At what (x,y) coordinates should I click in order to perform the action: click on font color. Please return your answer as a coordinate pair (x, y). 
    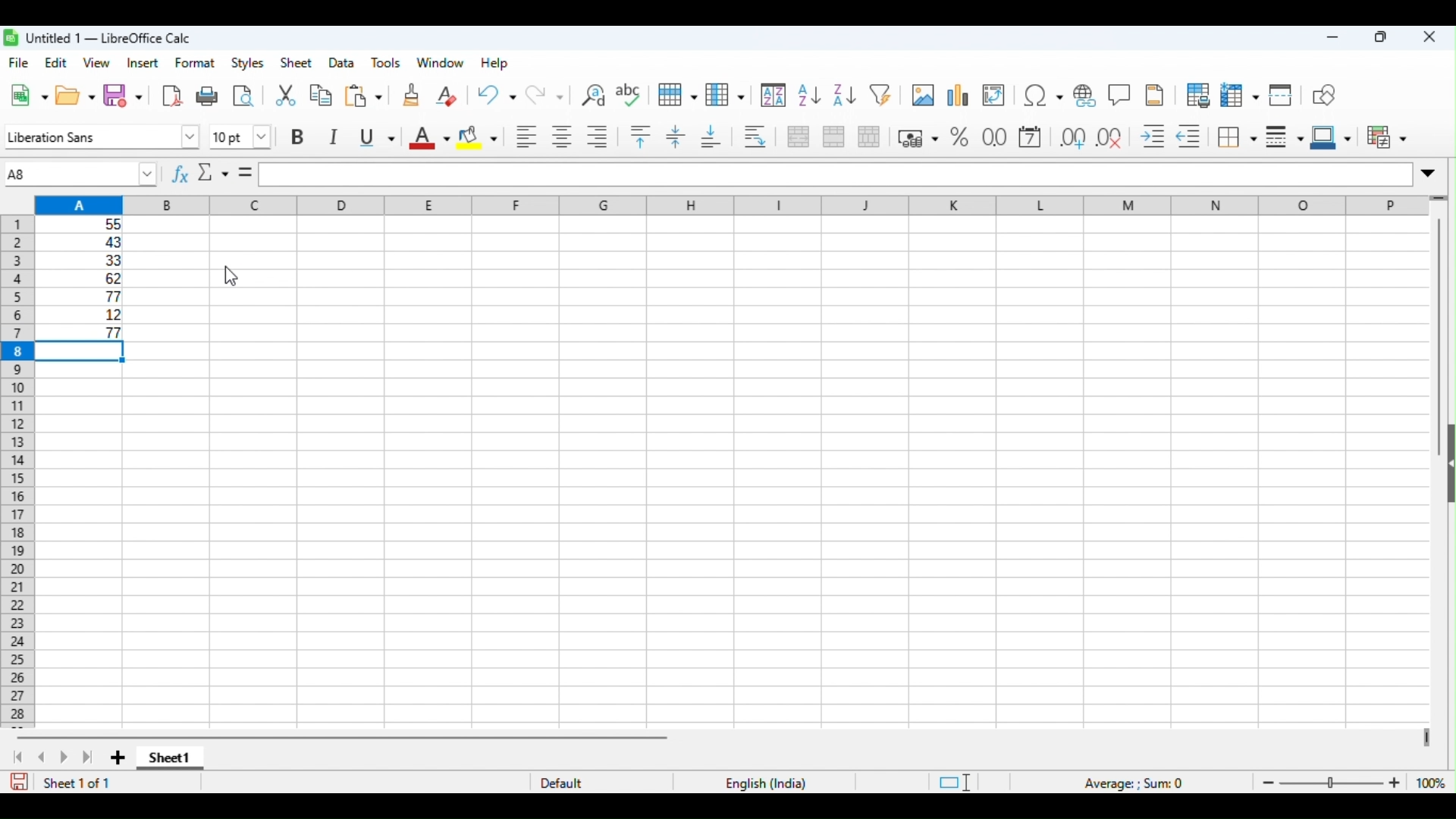
    Looking at the image, I should click on (428, 138).